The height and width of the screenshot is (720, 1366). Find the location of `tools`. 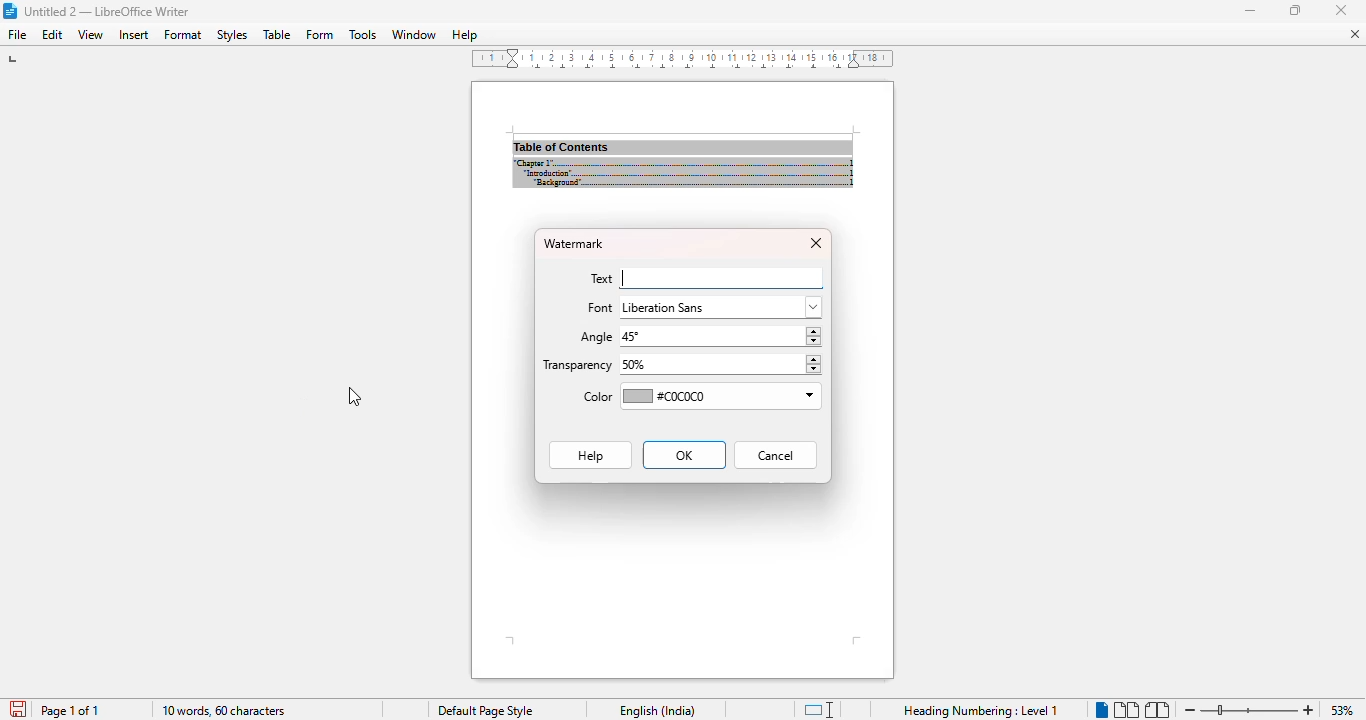

tools is located at coordinates (362, 34).